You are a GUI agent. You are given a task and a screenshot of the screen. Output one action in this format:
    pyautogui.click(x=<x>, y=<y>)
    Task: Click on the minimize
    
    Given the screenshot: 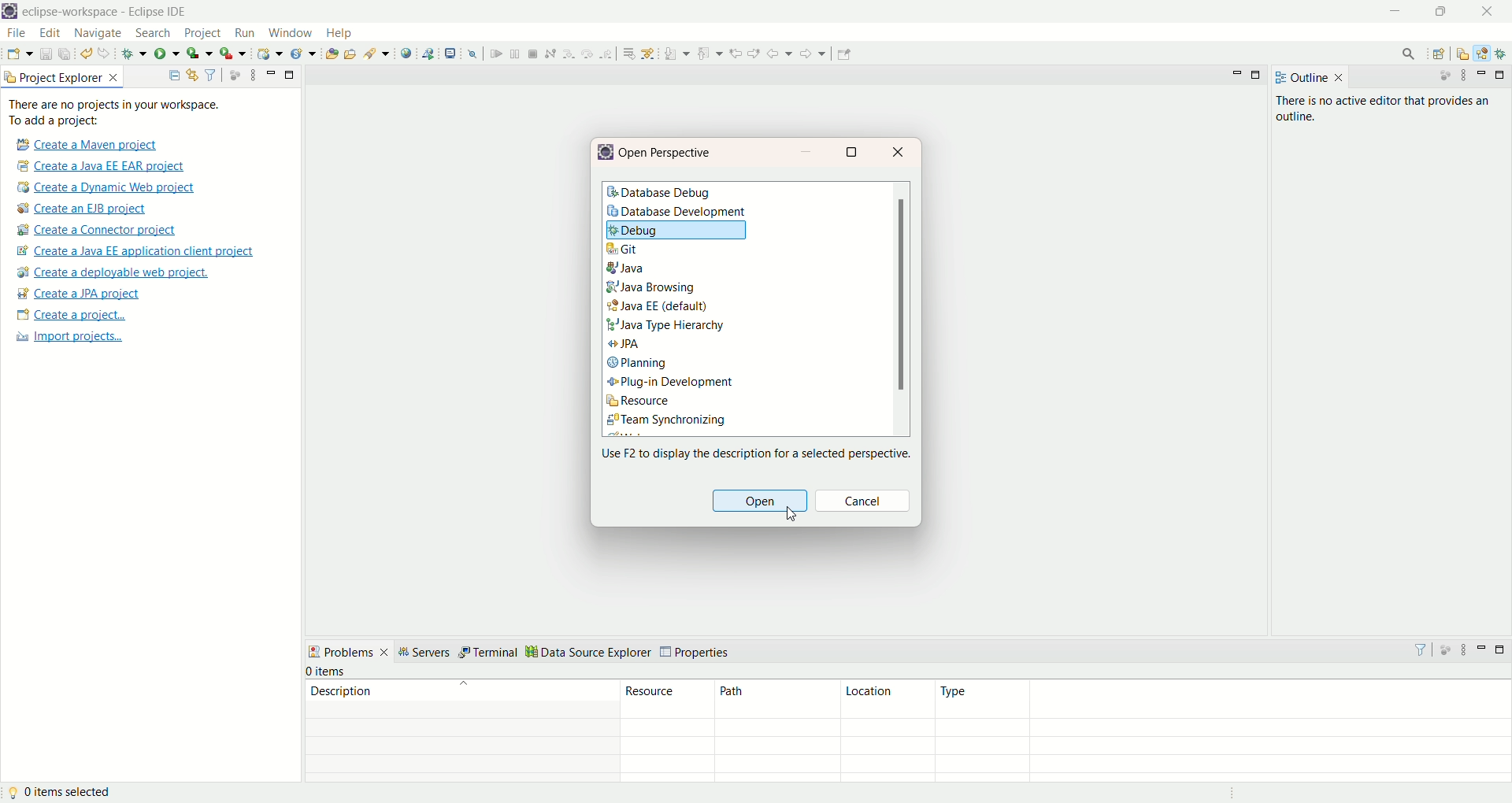 What is the action you would take?
    pyautogui.click(x=1401, y=13)
    